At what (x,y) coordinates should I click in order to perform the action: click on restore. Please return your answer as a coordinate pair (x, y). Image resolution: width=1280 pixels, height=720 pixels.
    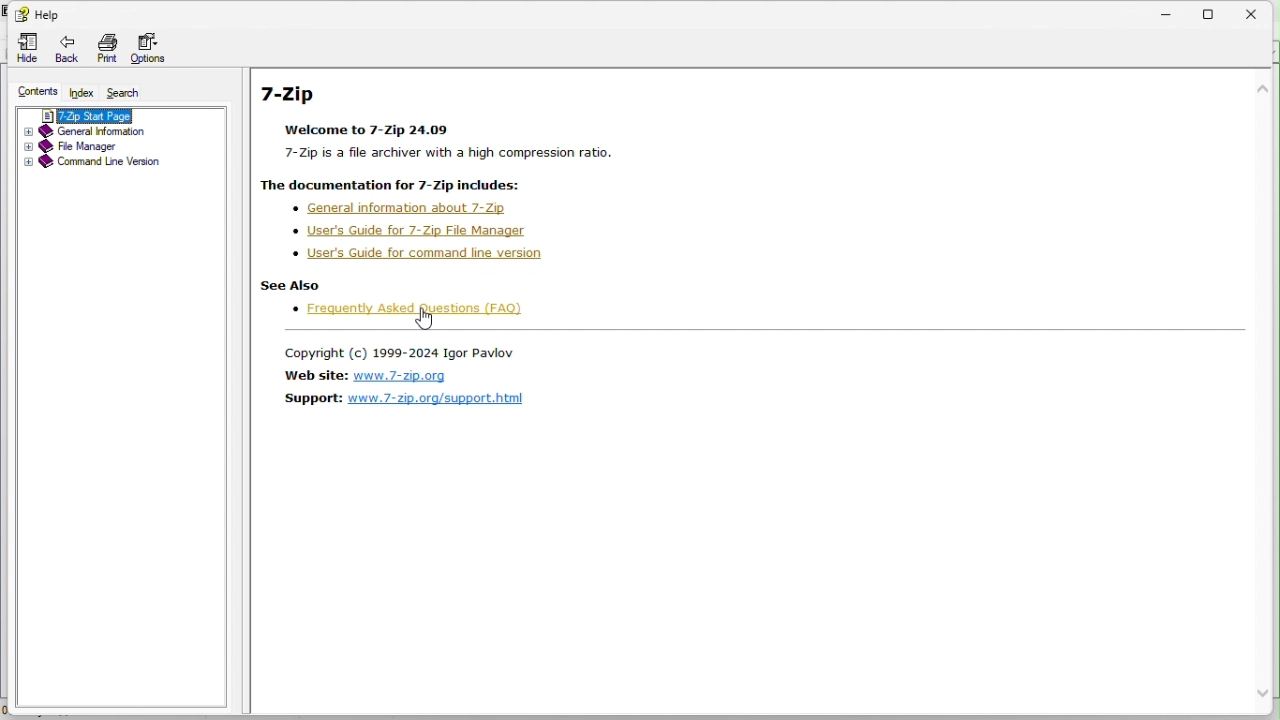
    Looking at the image, I should click on (1211, 13).